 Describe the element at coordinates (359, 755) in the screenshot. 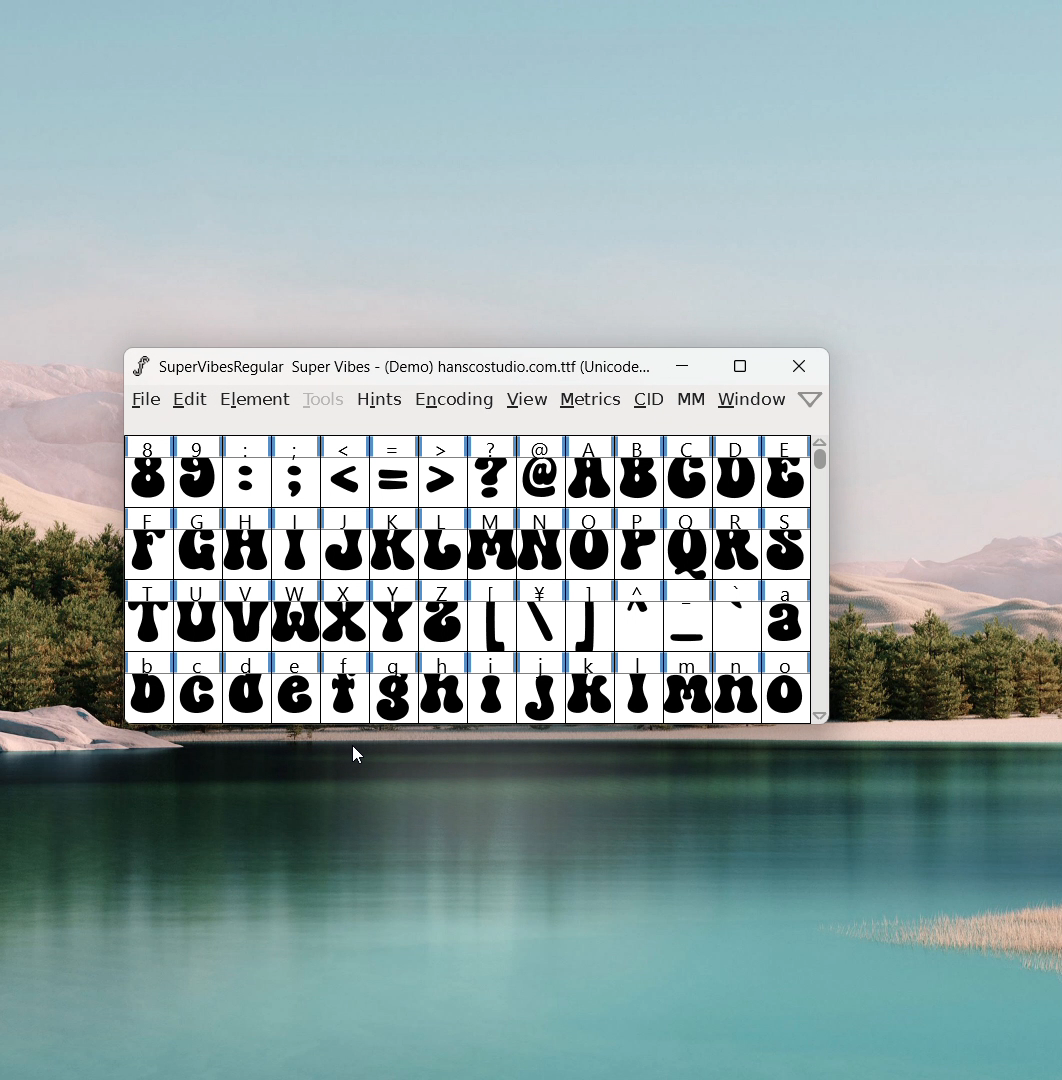

I see `cursor` at that location.